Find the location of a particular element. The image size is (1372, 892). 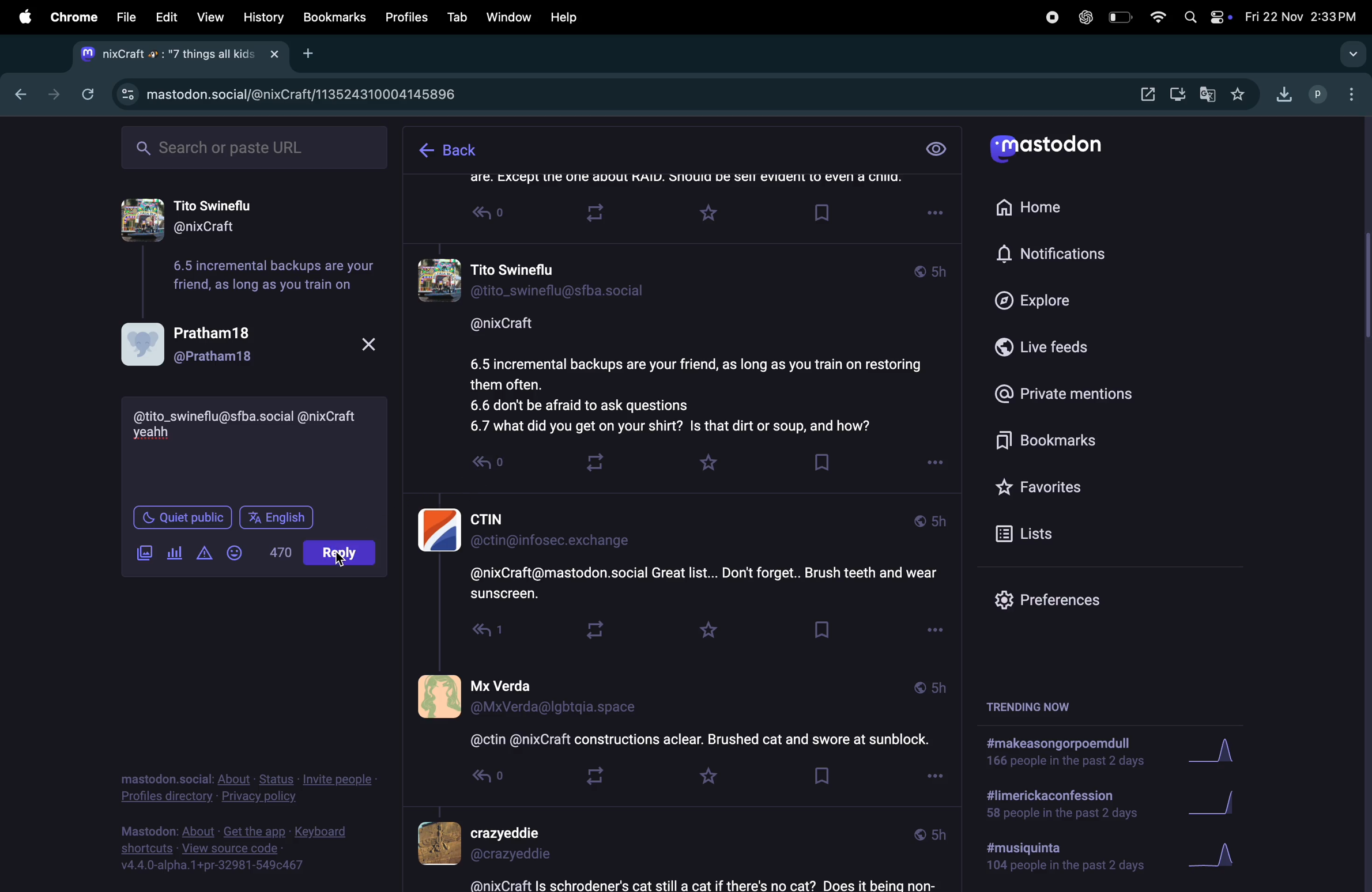

#limerickaconfession
58 people in the past 2 days is located at coordinates (1058, 806).